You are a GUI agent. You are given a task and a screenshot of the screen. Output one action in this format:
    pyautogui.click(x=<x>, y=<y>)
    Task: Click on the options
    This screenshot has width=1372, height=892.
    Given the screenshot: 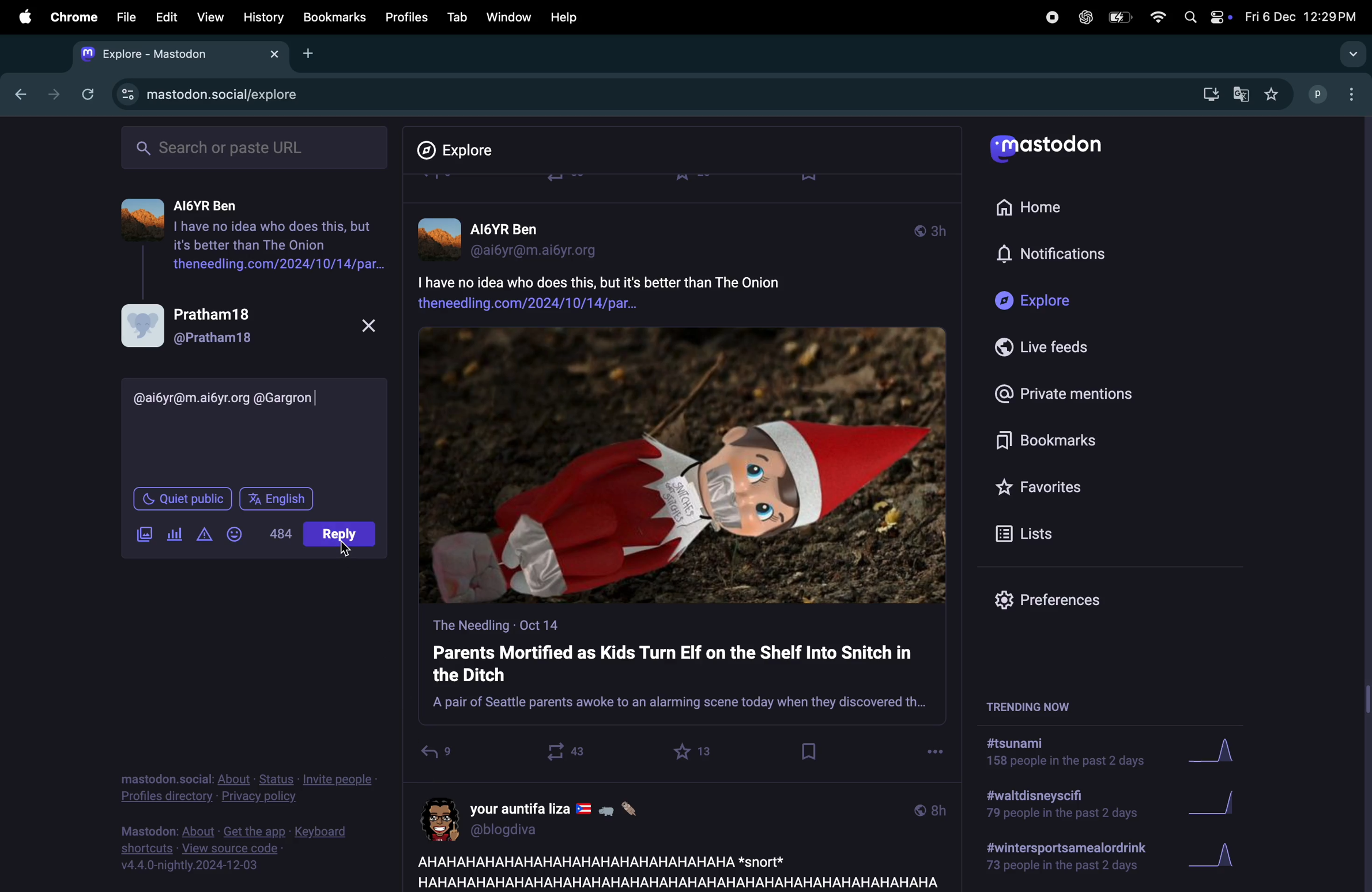 What is the action you would take?
    pyautogui.click(x=935, y=749)
    